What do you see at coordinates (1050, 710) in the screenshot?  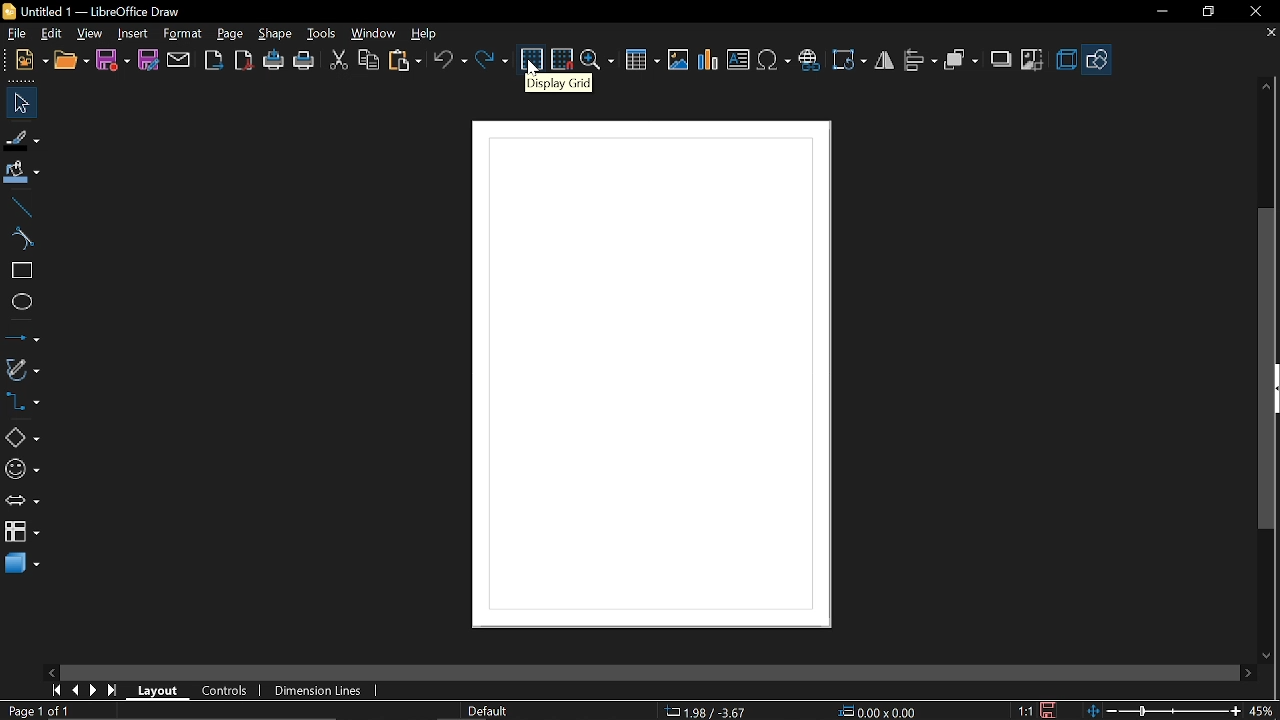 I see `save` at bounding box center [1050, 710].